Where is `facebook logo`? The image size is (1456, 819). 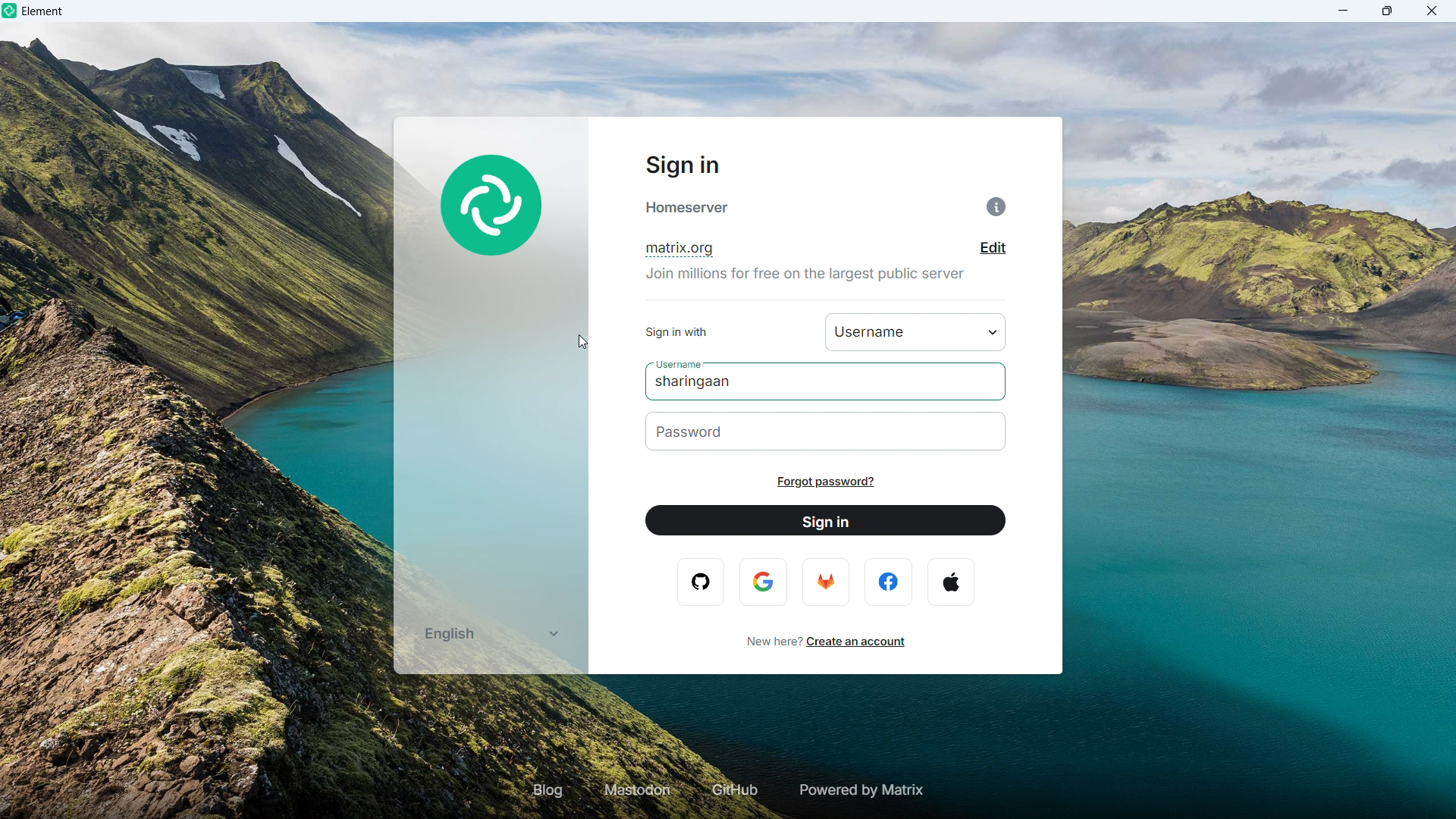 facebook logo is located at coordinates (890, 582).